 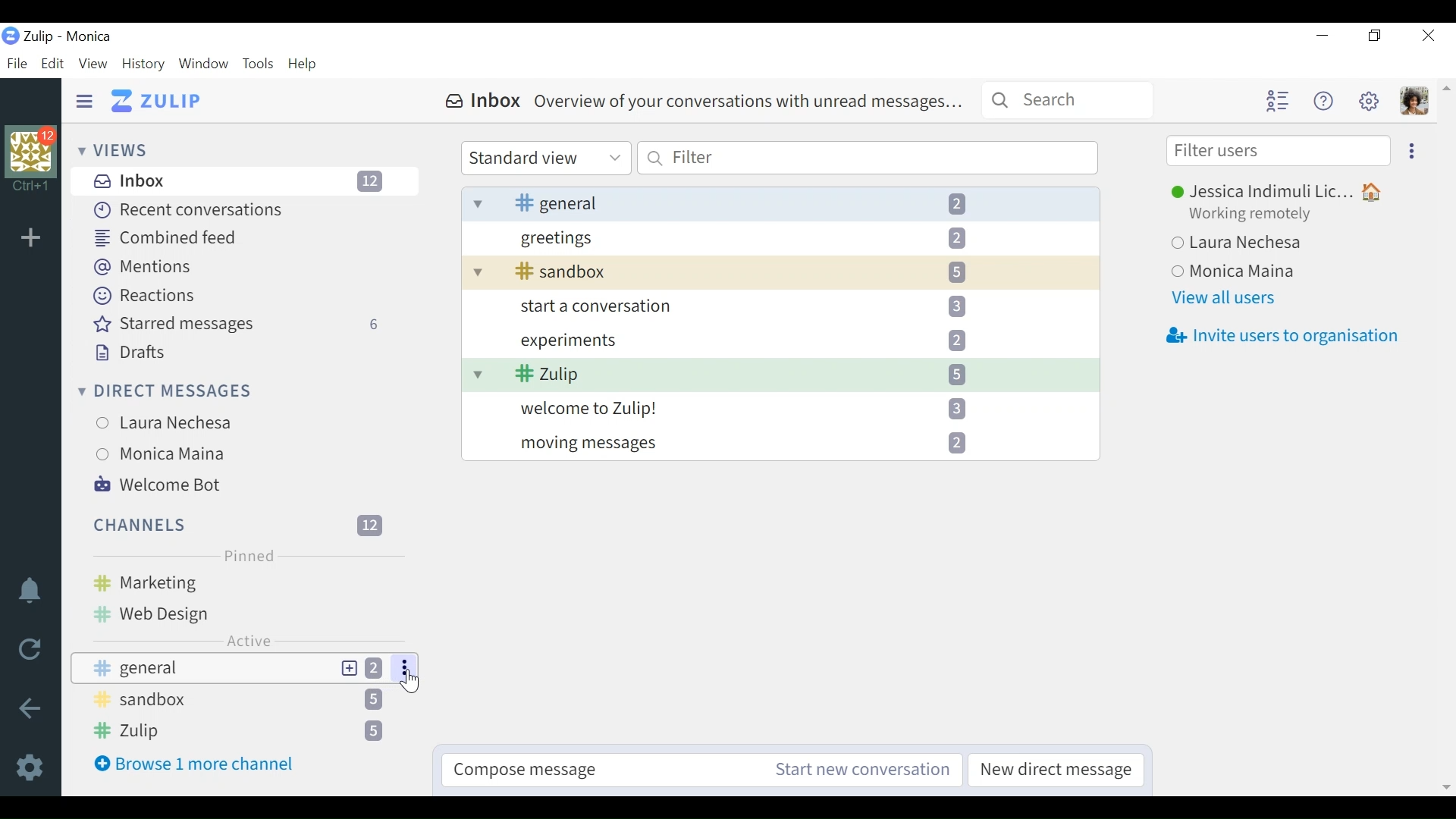 What do you see at coordinates (240, 423) in the screenshot?
I see `Laura Nechesa` at bounding box center [240, 423].